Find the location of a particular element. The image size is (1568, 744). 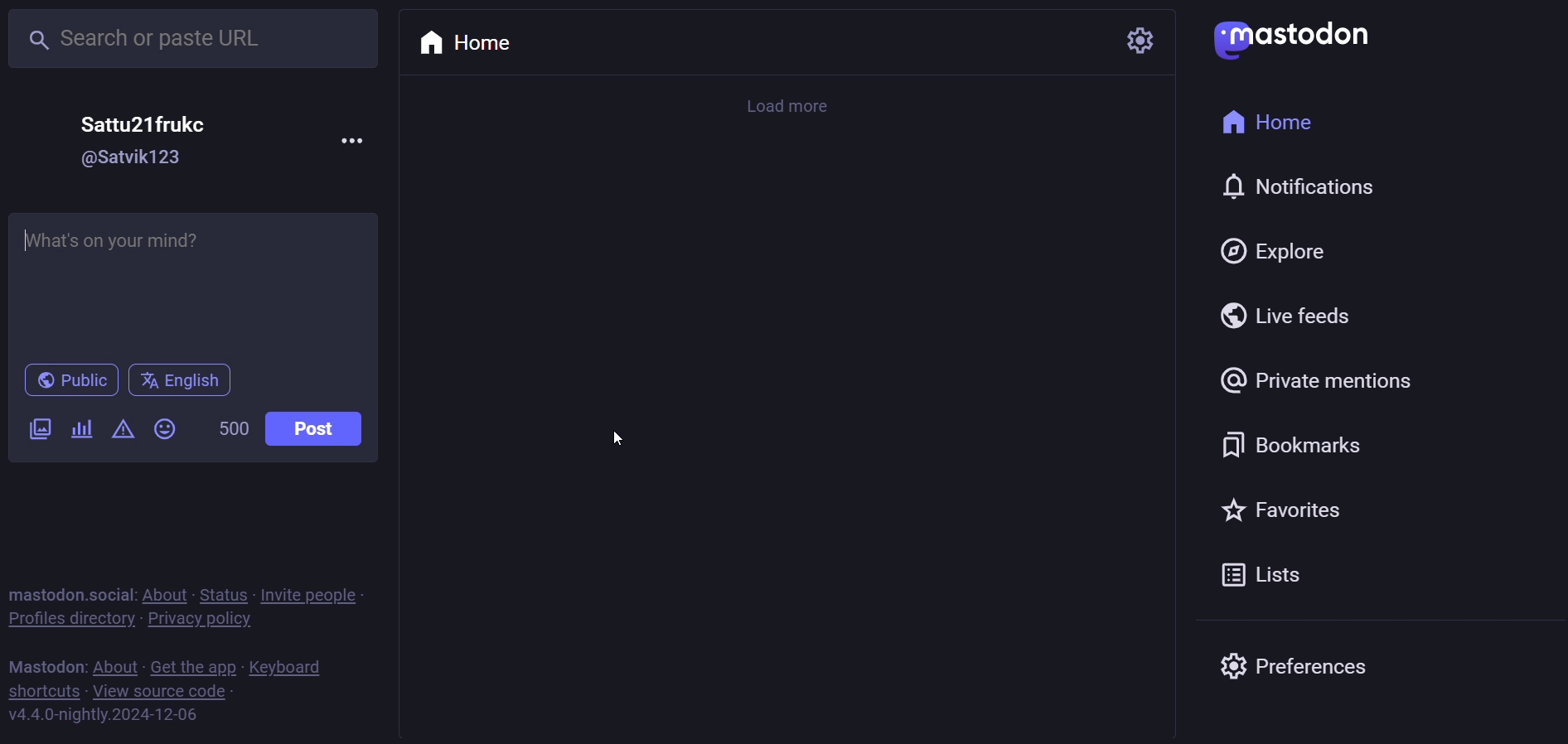

post is located at coordinates (317, 428).